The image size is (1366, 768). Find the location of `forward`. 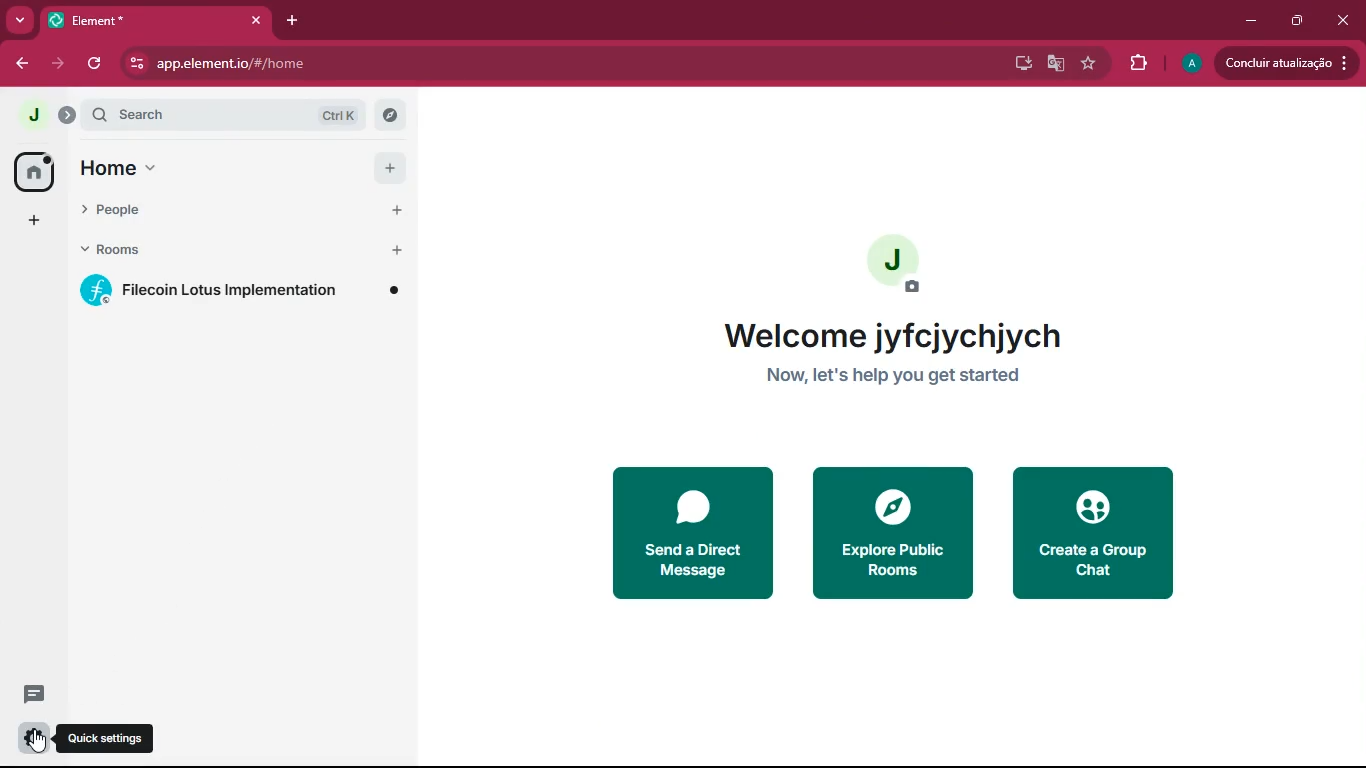

forward is located at coordinates (61, 65).